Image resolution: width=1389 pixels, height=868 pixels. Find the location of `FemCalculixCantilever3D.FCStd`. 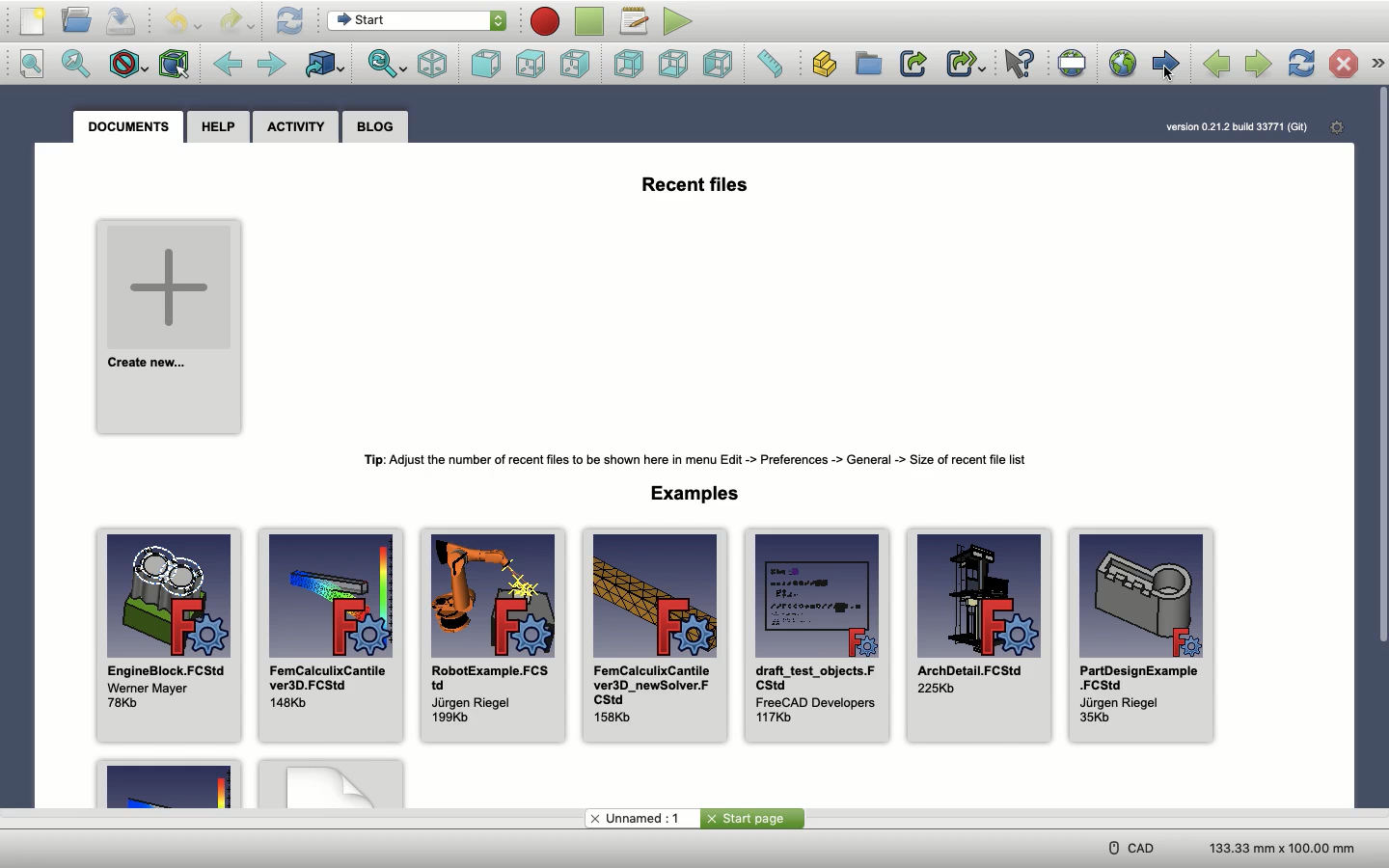

FemCalculixCantilever3D.FCStd is located at coordinates (330, 635).